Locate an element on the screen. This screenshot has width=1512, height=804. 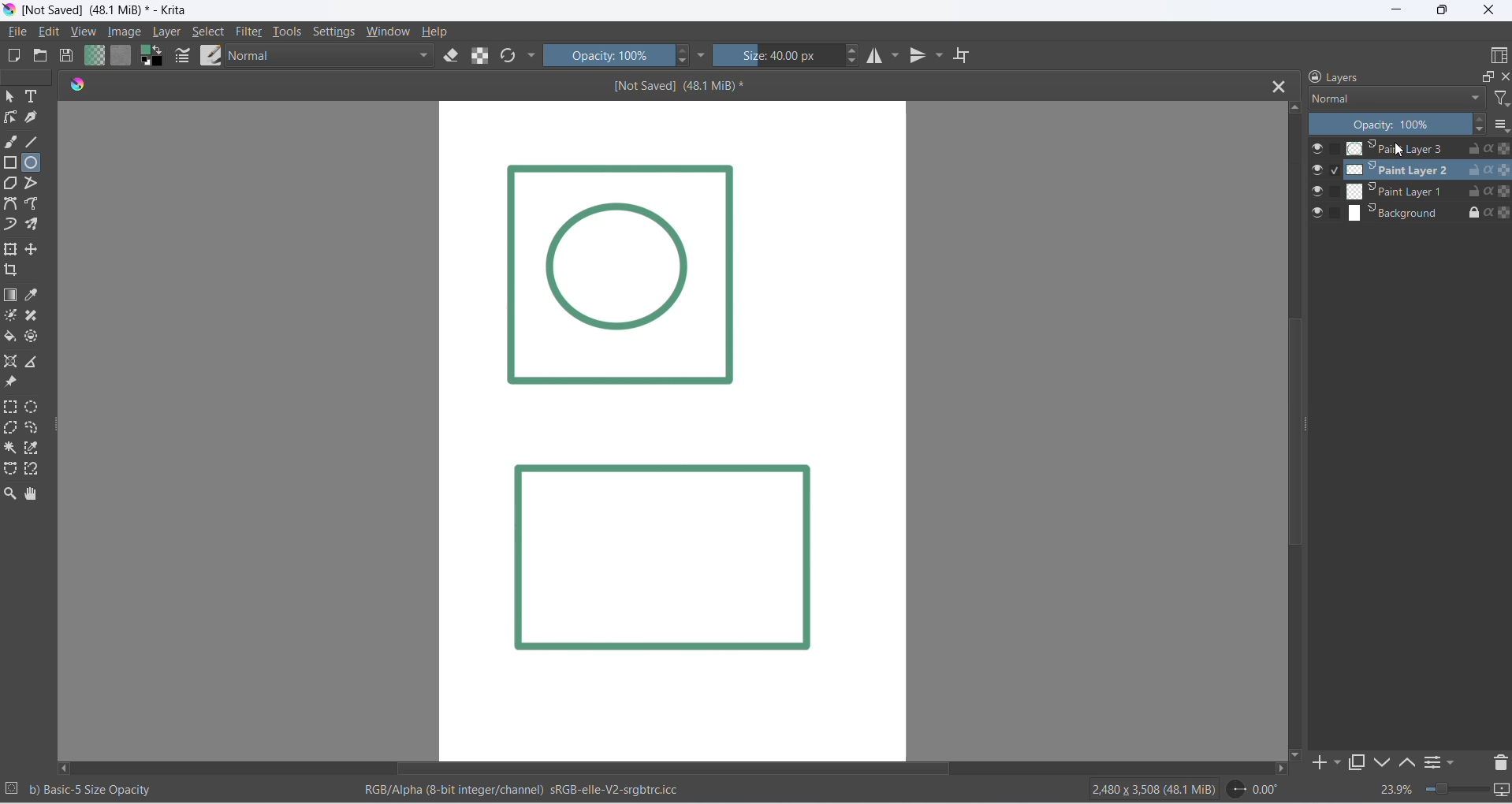
Image Layer 1 is located at coordinates (622, 281).